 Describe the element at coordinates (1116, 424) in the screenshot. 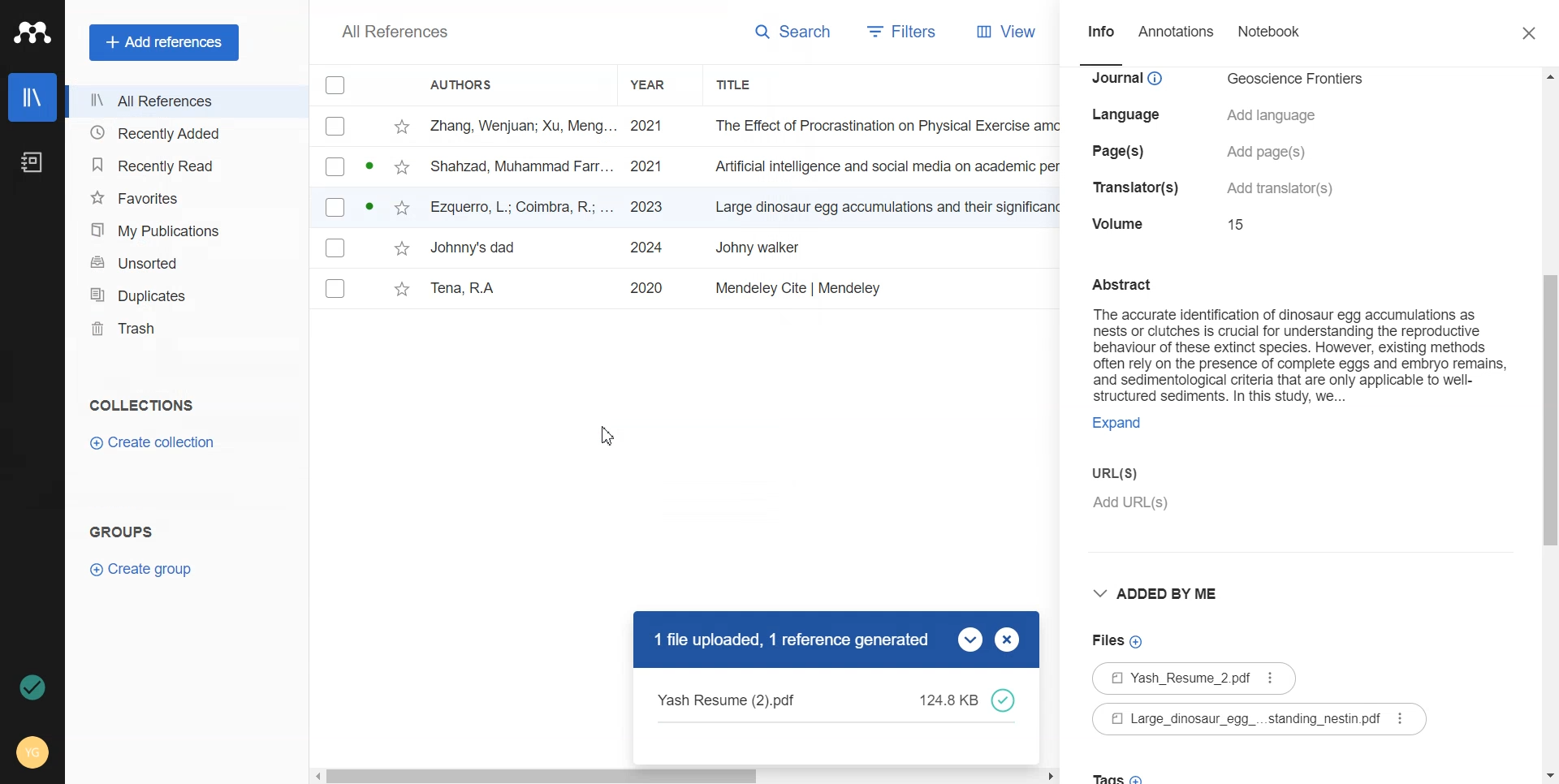

I see `expand` at that location.